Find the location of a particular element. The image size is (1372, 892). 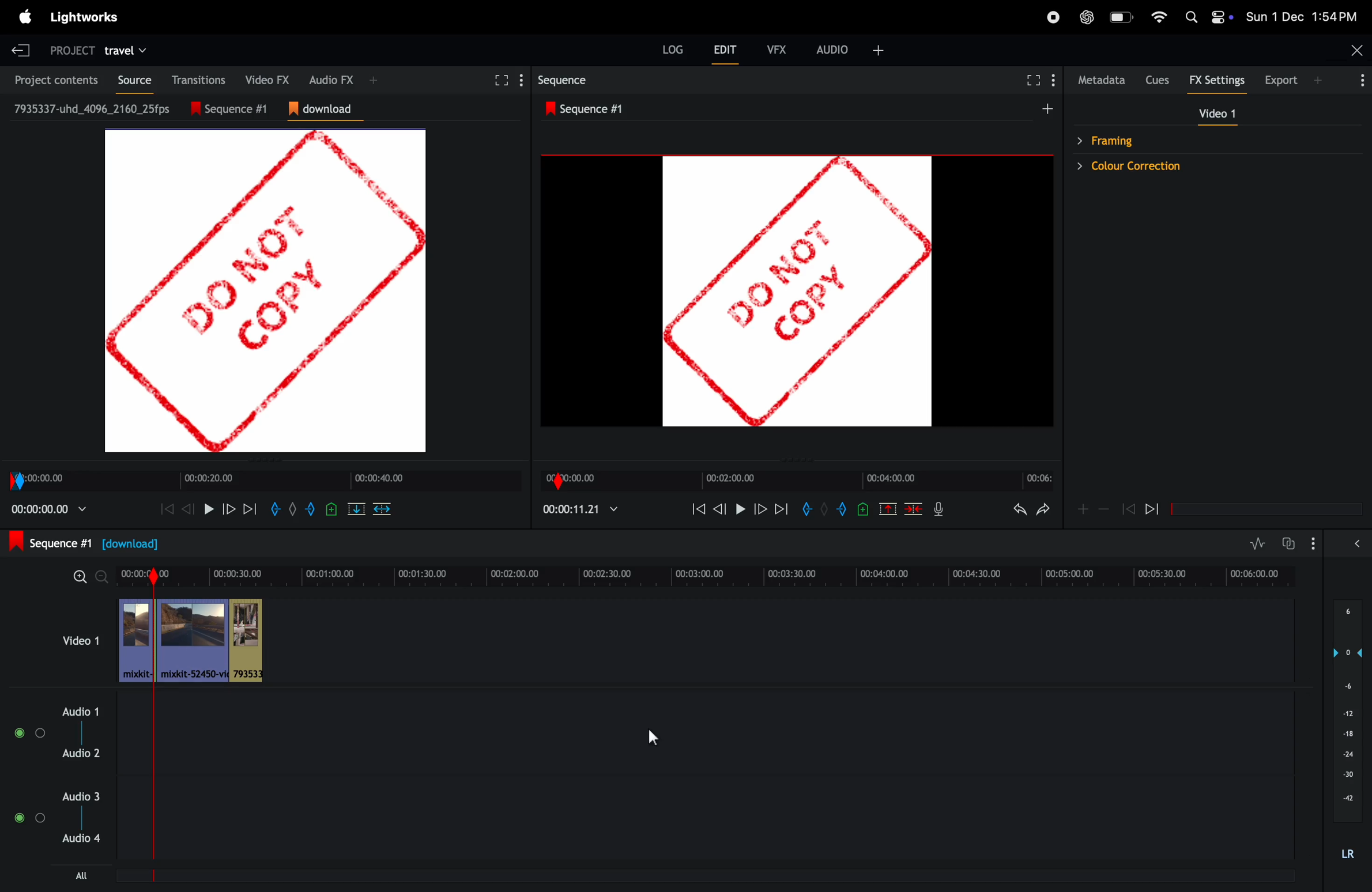

Add is located at coordinates (293, 509).